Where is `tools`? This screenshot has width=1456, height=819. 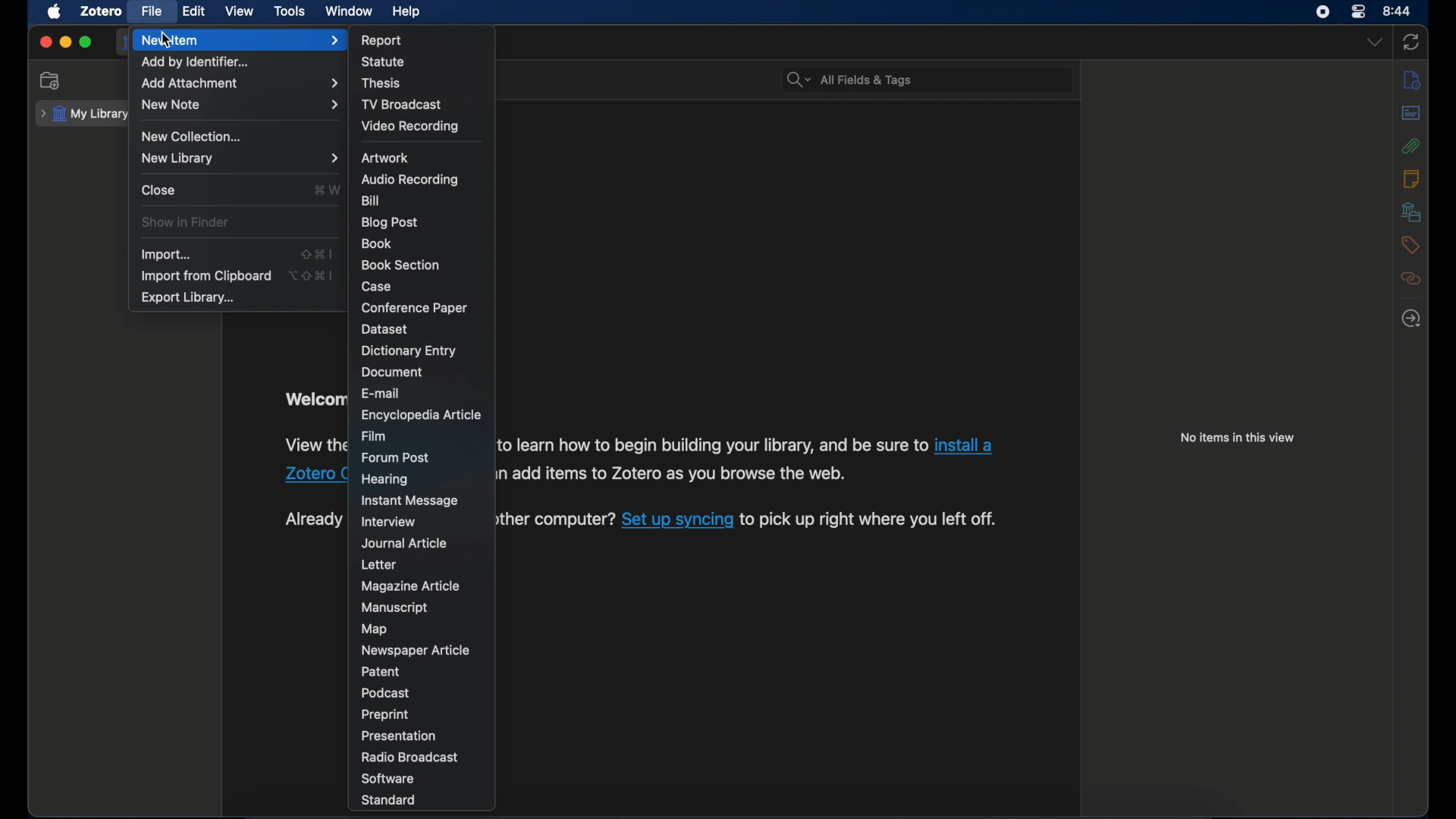
tools is located at coordinates (290, 12).